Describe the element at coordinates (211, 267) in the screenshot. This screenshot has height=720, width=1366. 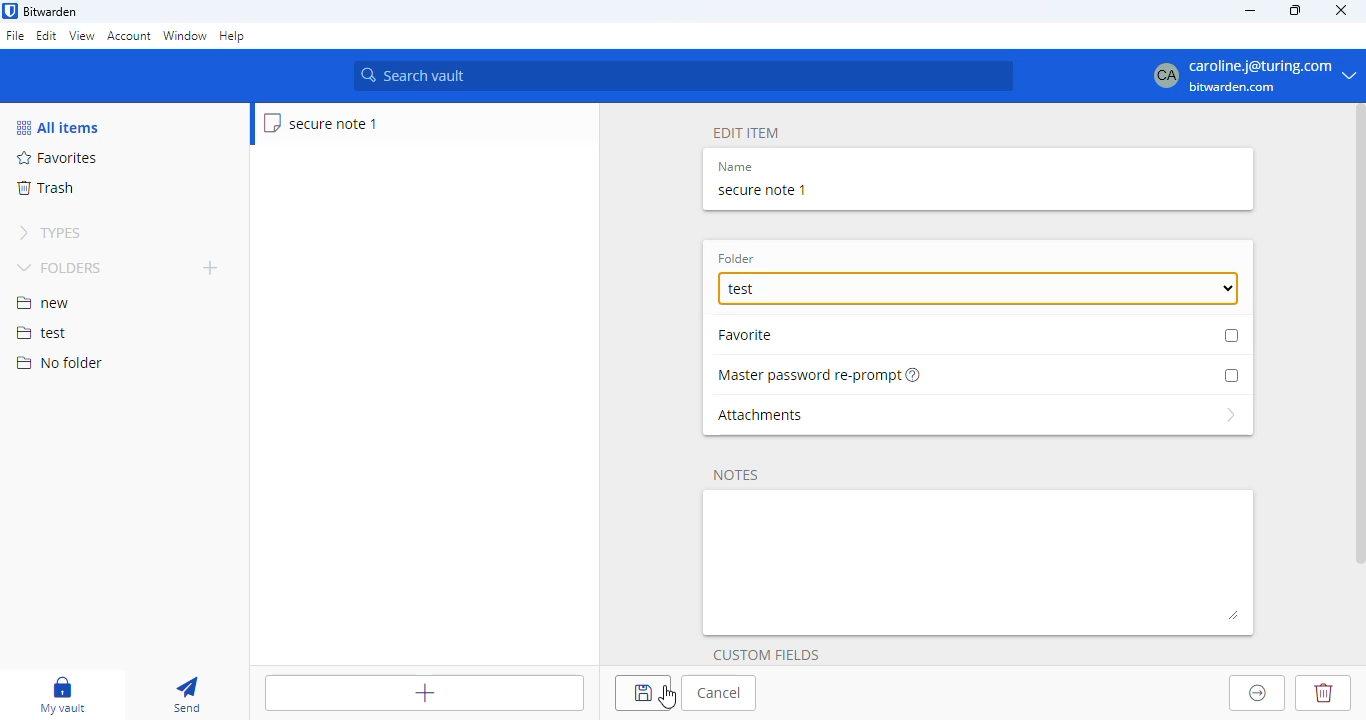
I see `add` at that location.